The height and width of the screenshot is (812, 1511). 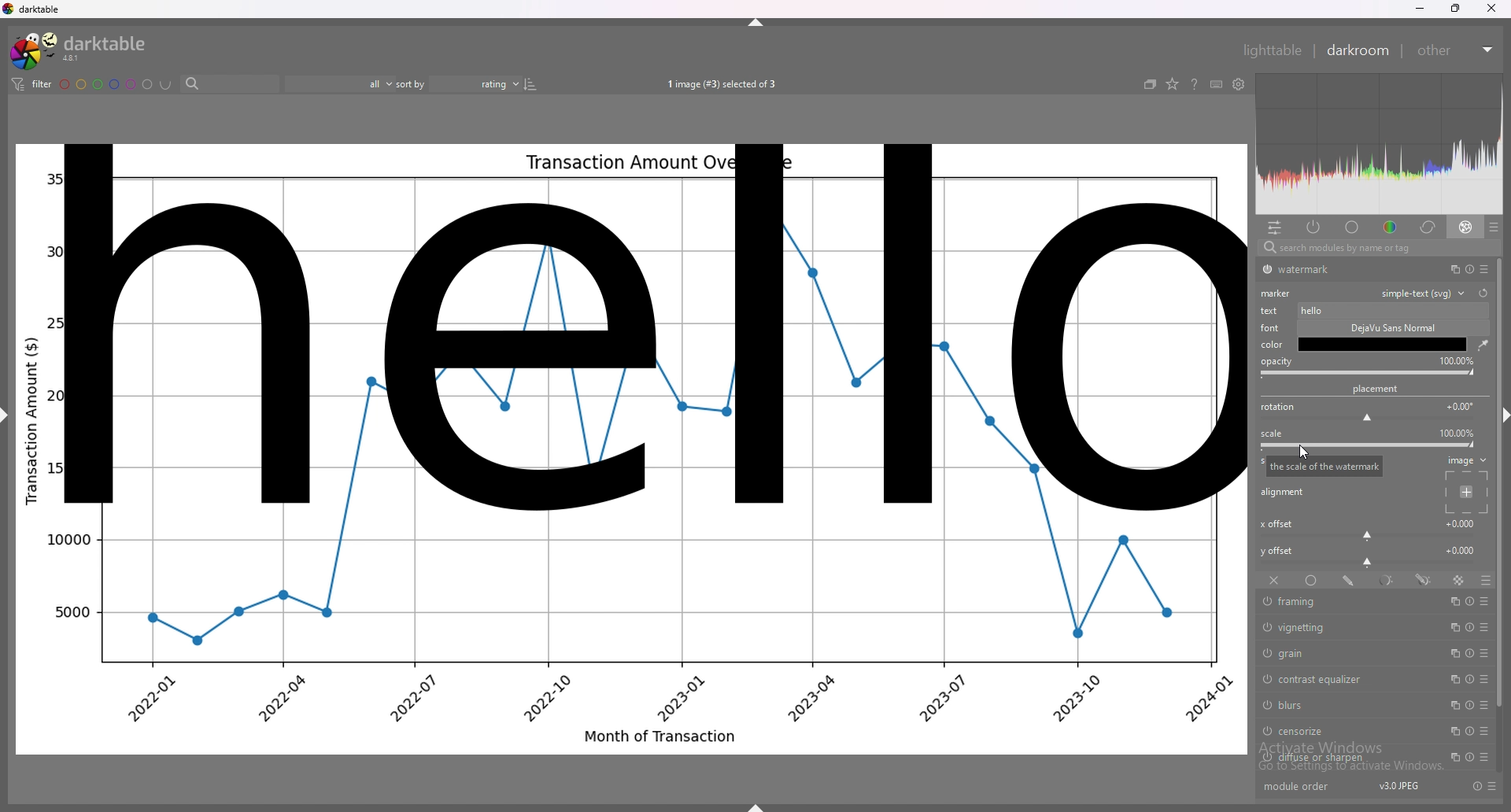 What do you see at coordinates (1350, 580) in the screenshot?
I see `drawn mask` at bounding box center [1350, 580].